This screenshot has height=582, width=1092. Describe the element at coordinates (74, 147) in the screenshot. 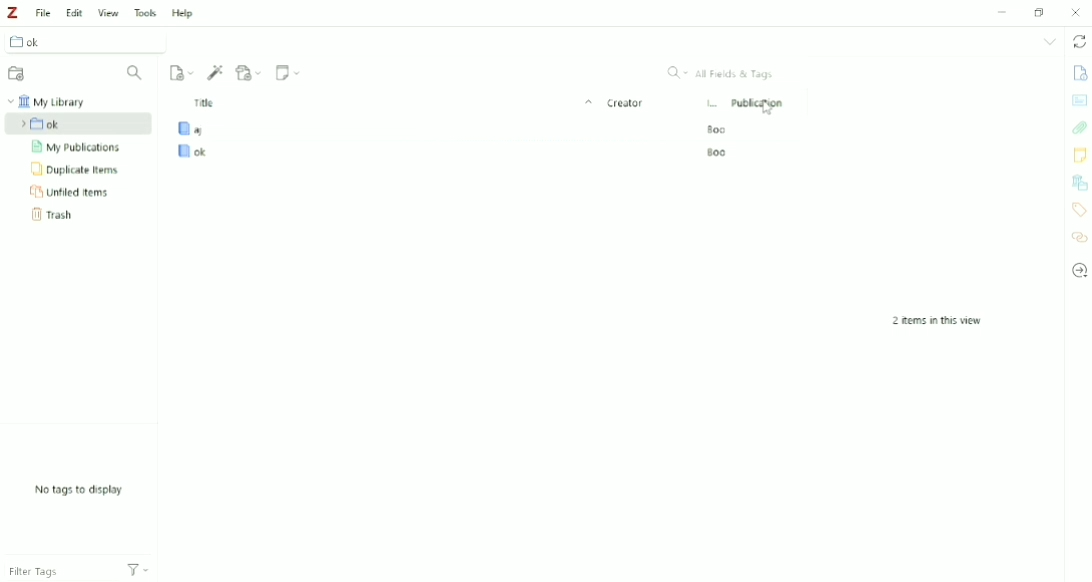

I see `My Publications` at that location.